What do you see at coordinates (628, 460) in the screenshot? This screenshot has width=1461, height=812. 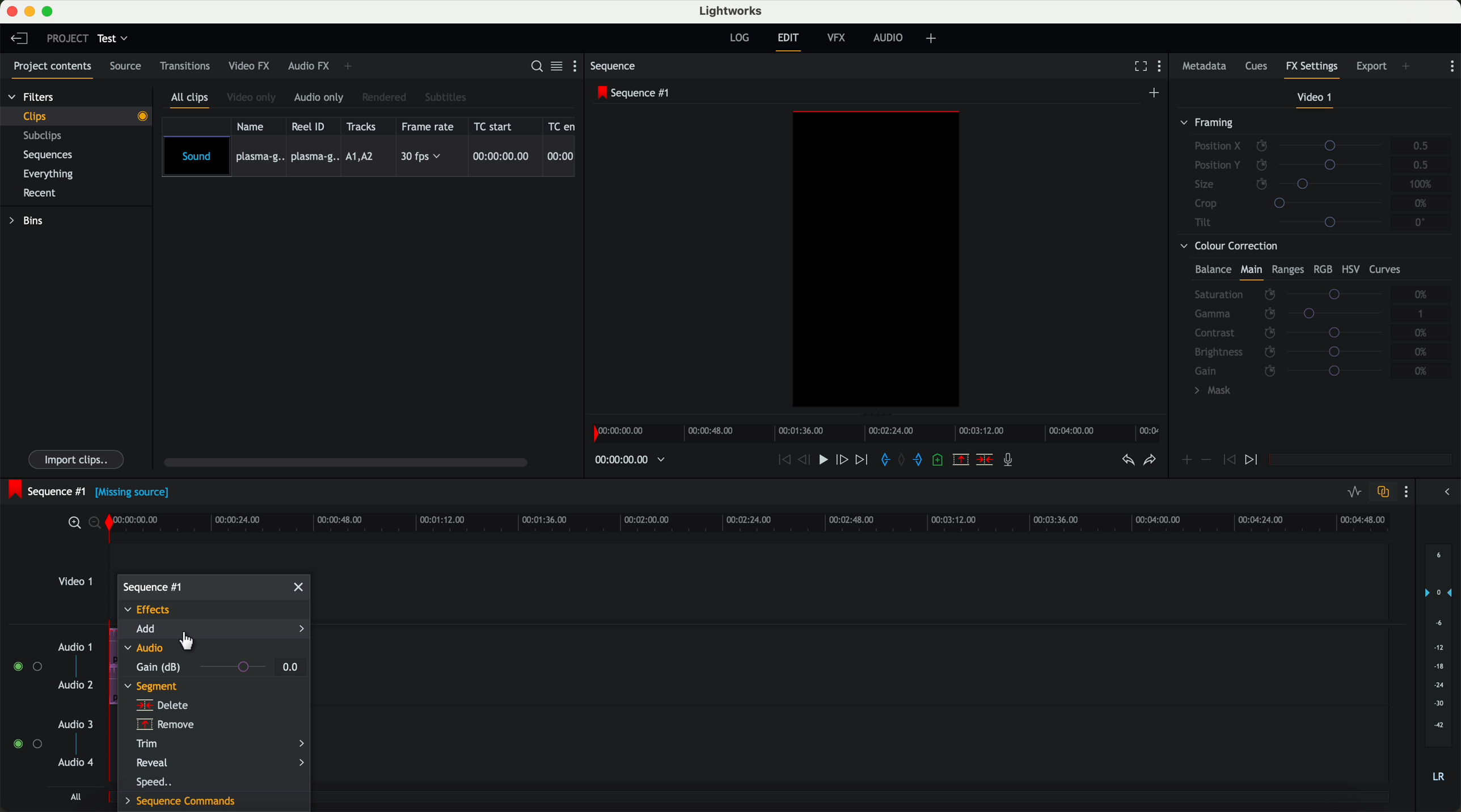 I see `timer` at bounding box center [628, 460].